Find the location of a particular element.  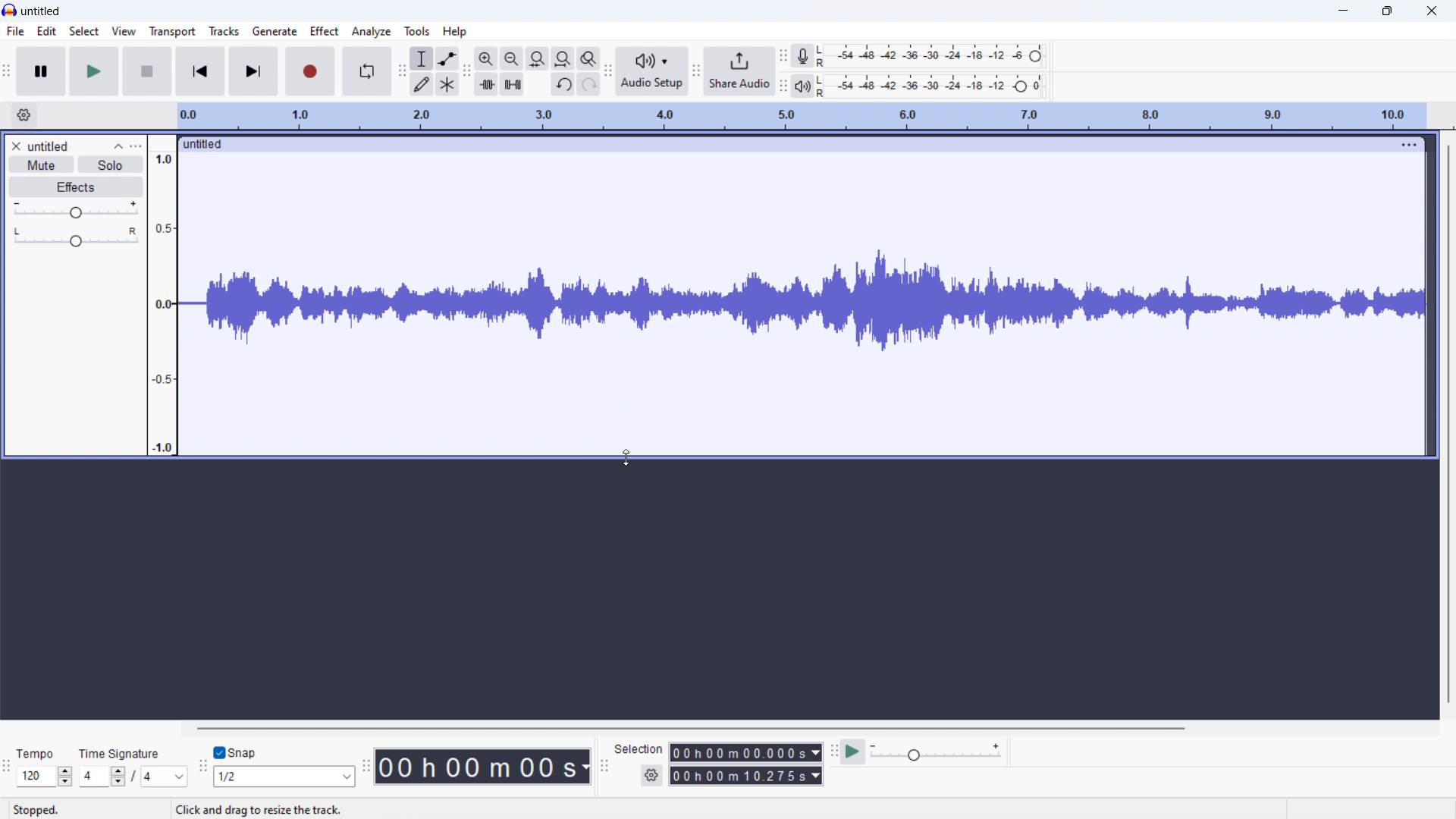

timeline is located at coordinates (802, 116).